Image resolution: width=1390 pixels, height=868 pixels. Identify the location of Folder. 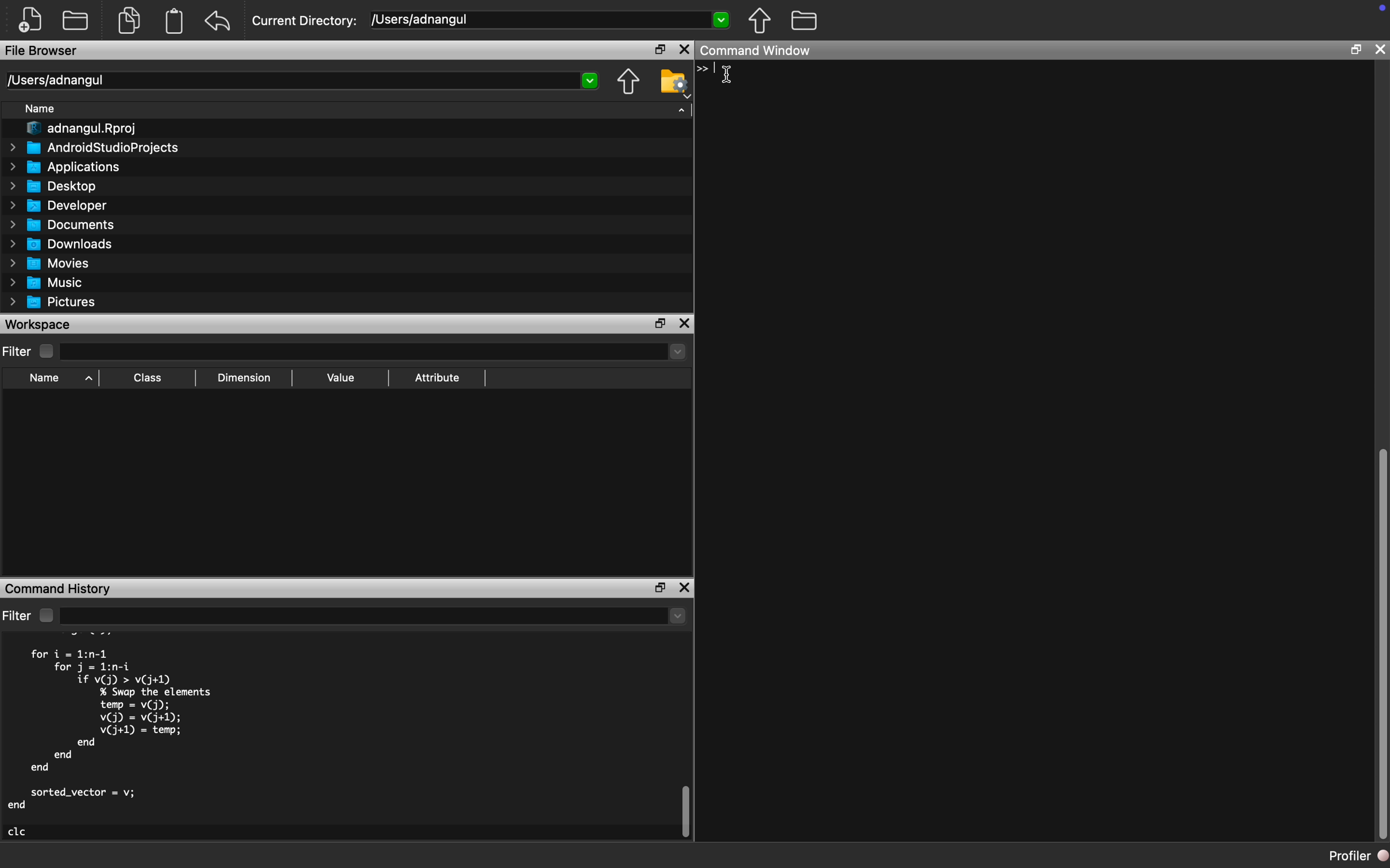
(804, 21).